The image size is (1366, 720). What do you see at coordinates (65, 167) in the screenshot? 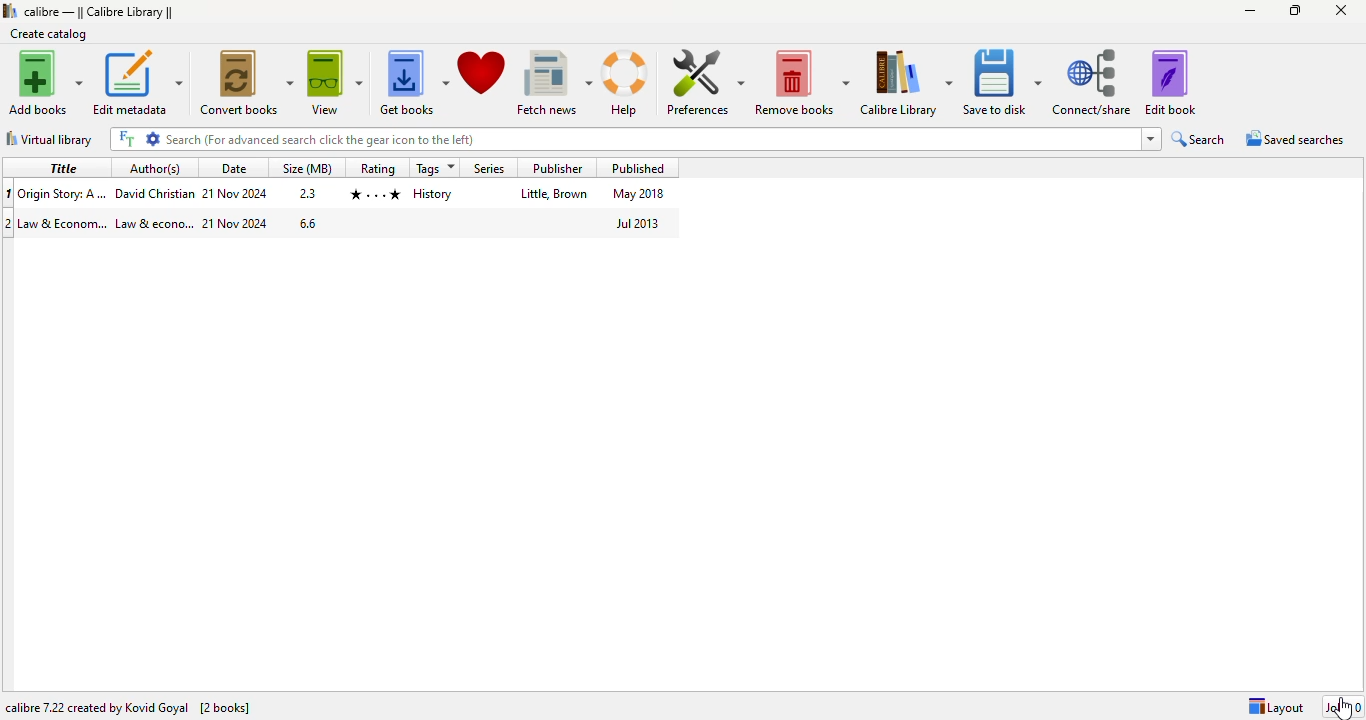
I see `title` at bounding box center [65, 167].